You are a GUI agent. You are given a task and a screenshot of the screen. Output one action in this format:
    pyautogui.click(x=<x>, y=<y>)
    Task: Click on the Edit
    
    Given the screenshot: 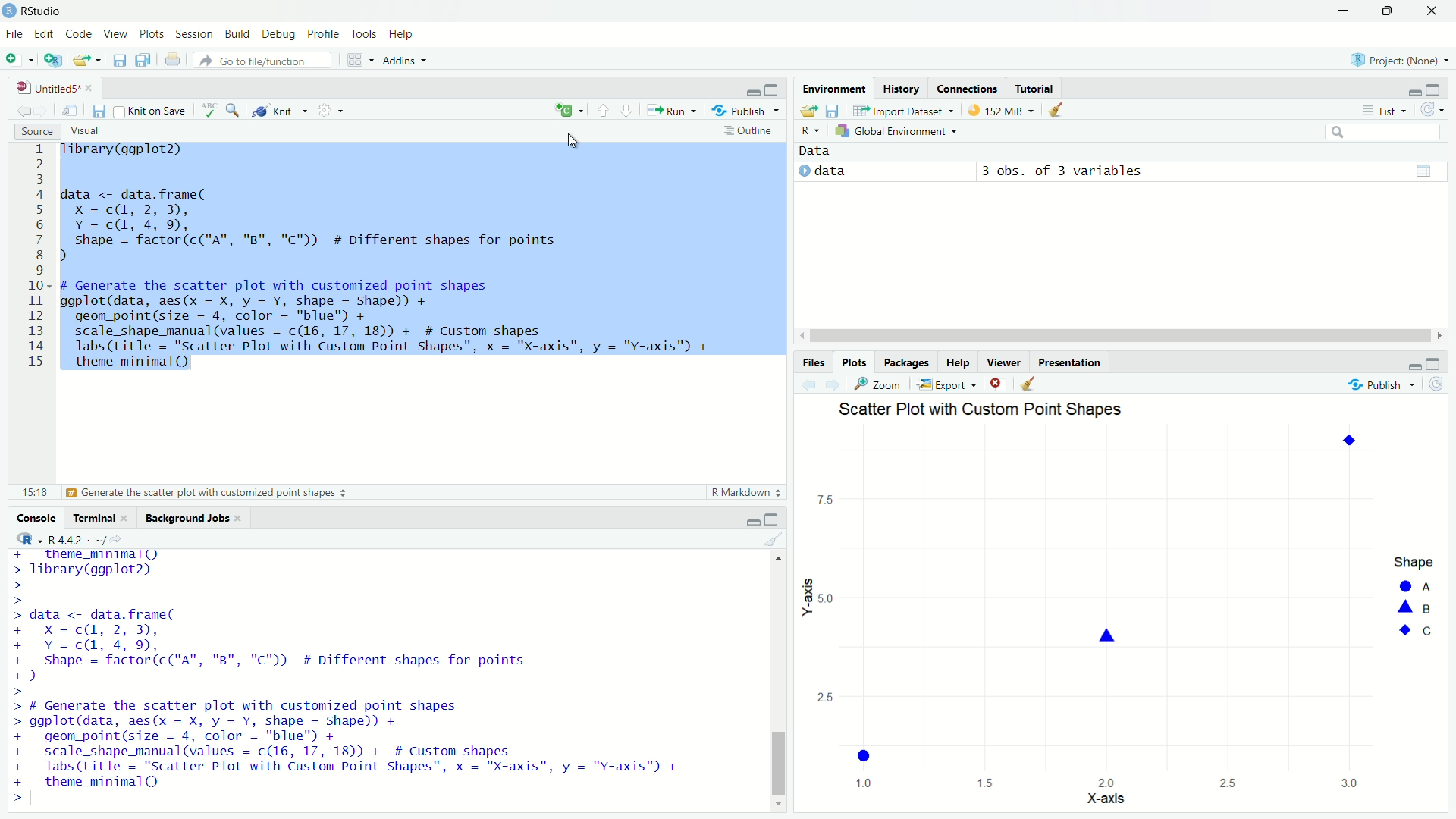 What is the action you would take?
    pyautogui.click(x=43, y=33)
    